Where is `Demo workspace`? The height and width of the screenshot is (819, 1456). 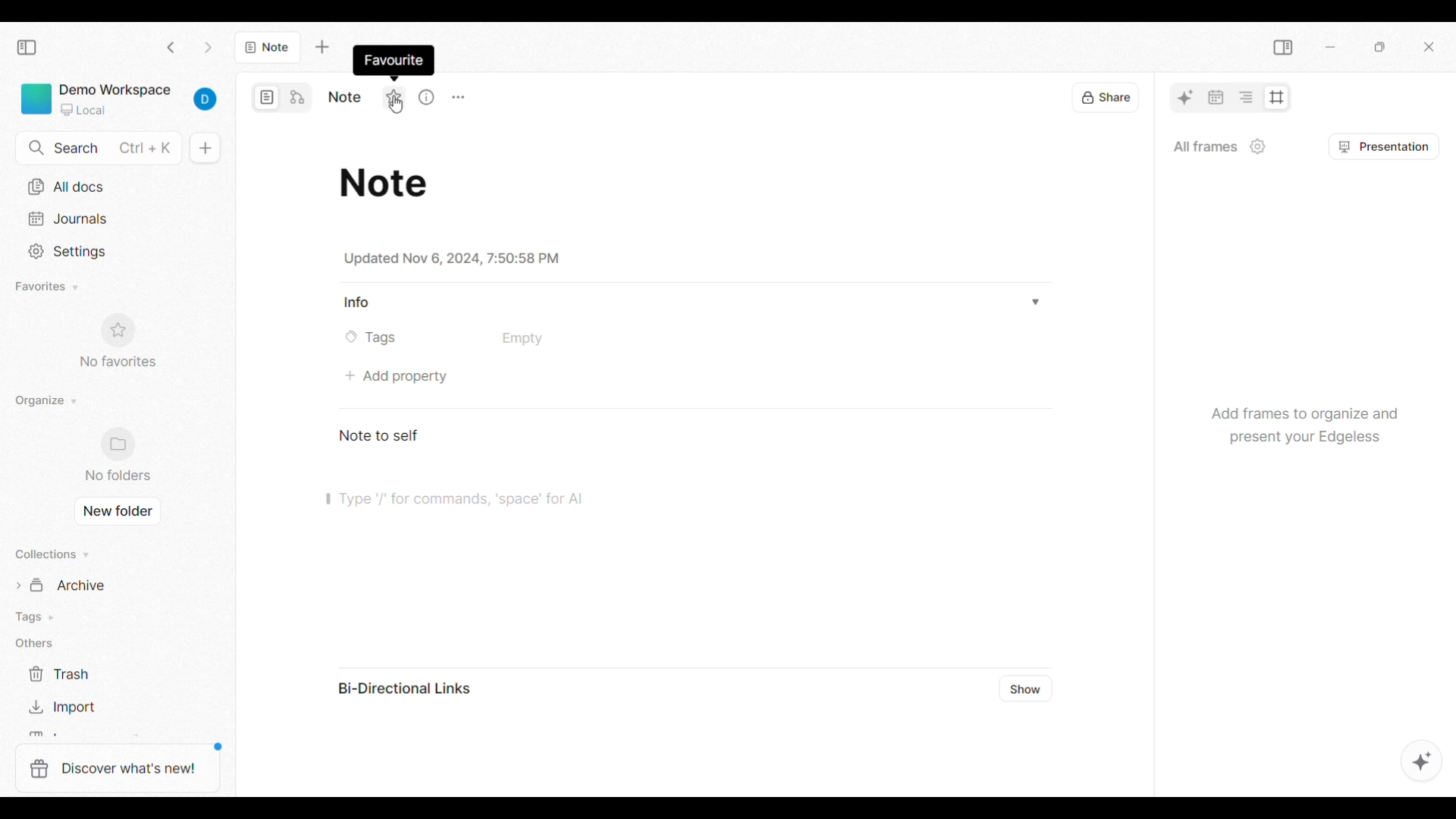 Demo workspace is located at coordinates (123, 99).